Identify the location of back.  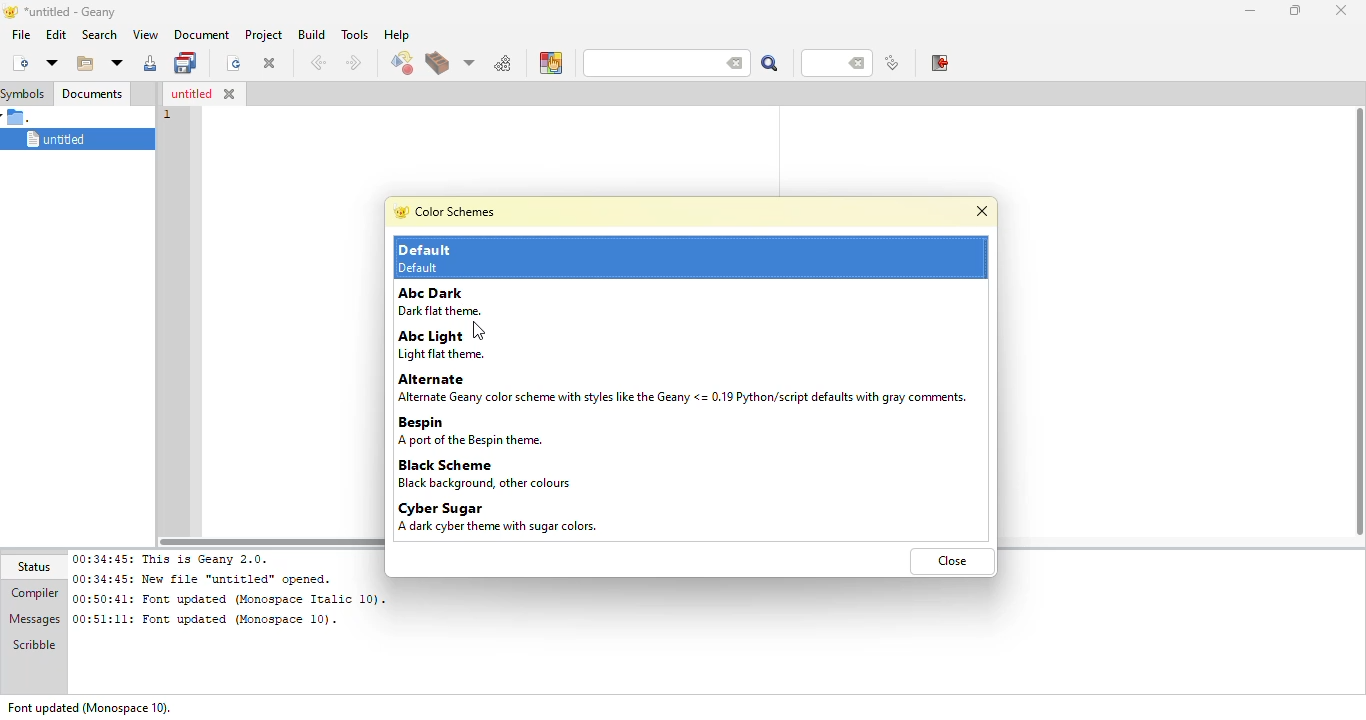
(317, 63).